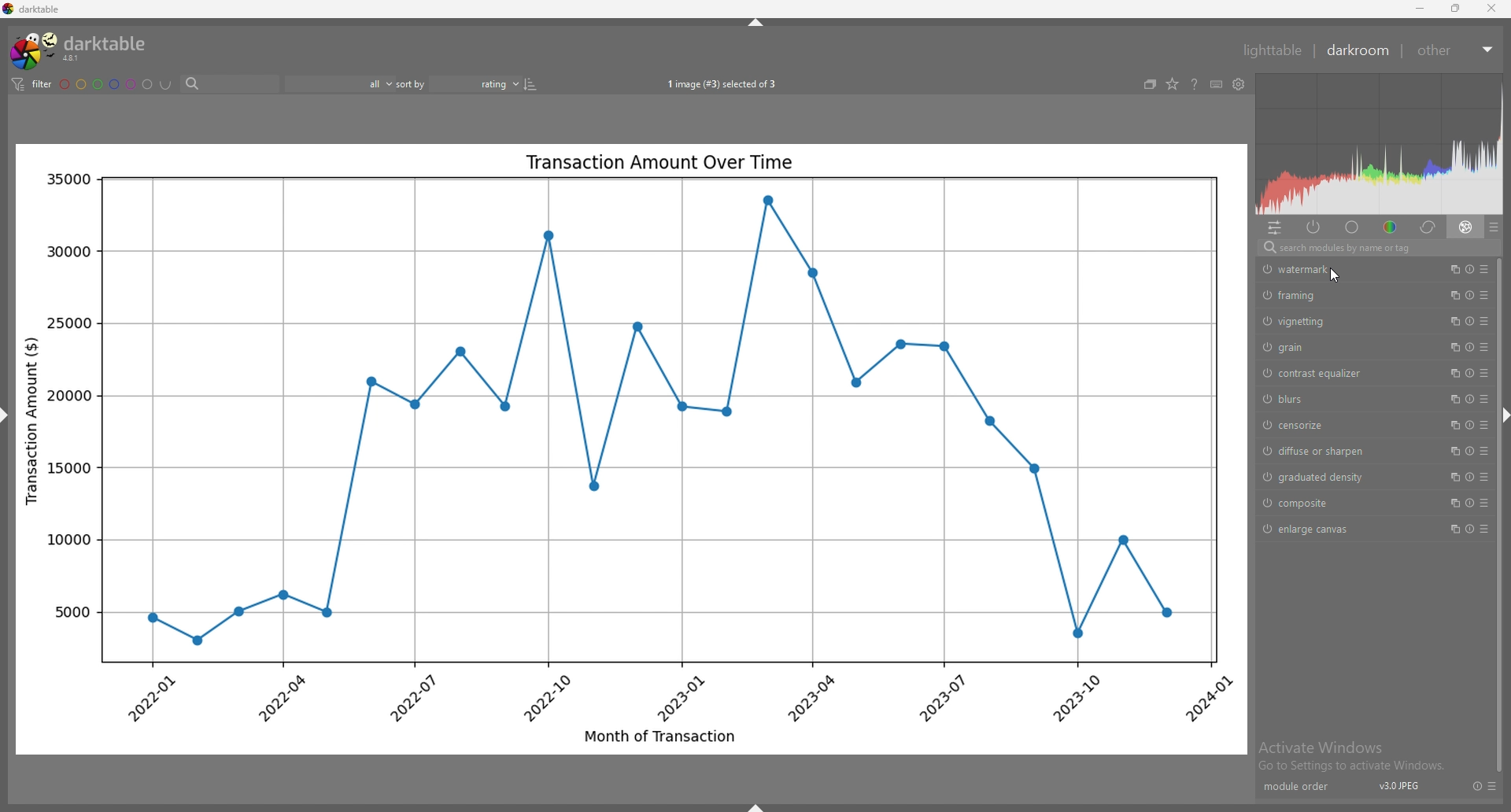  What do you see at coordinates (1484, 503) in the screenshot?
I see `presets` at bounding box center [1484, 503].